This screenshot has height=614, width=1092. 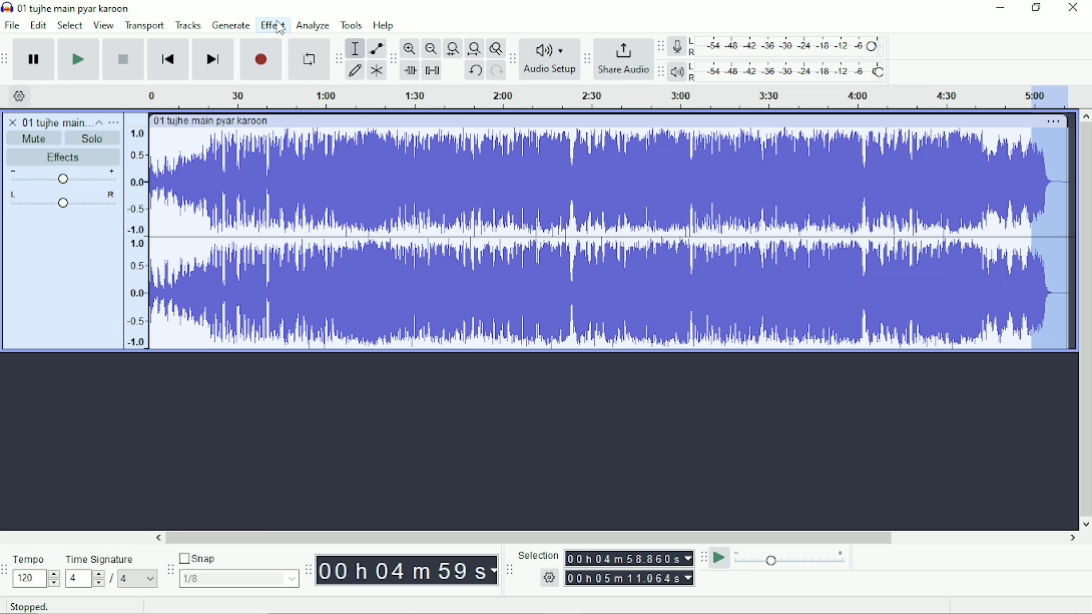 What do you see at coordinates (71, 26) in the screenshot?
I see `Select` at bounding box center [71, 26].